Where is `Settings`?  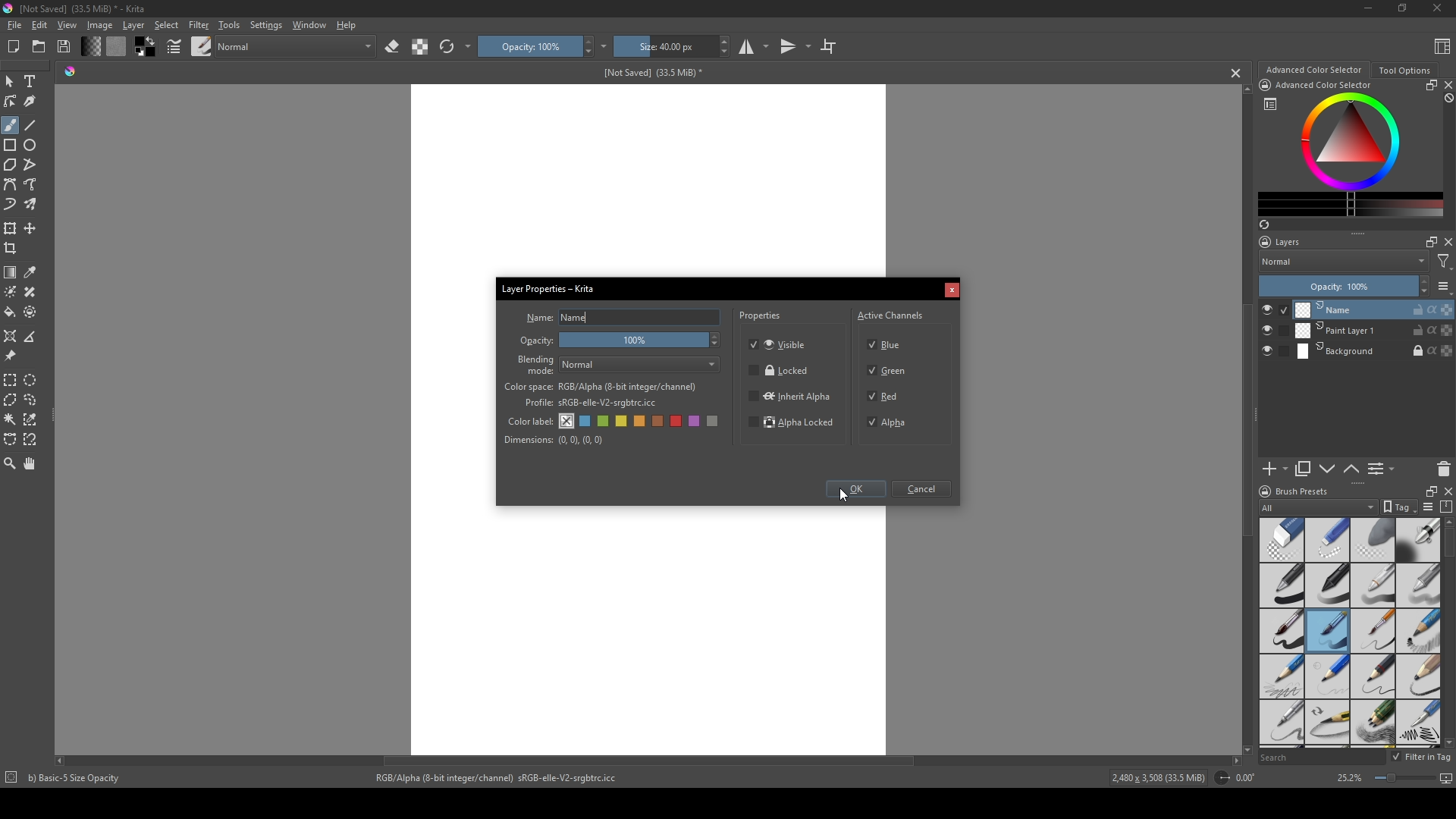 Settings is located at coordinates (265, 25).